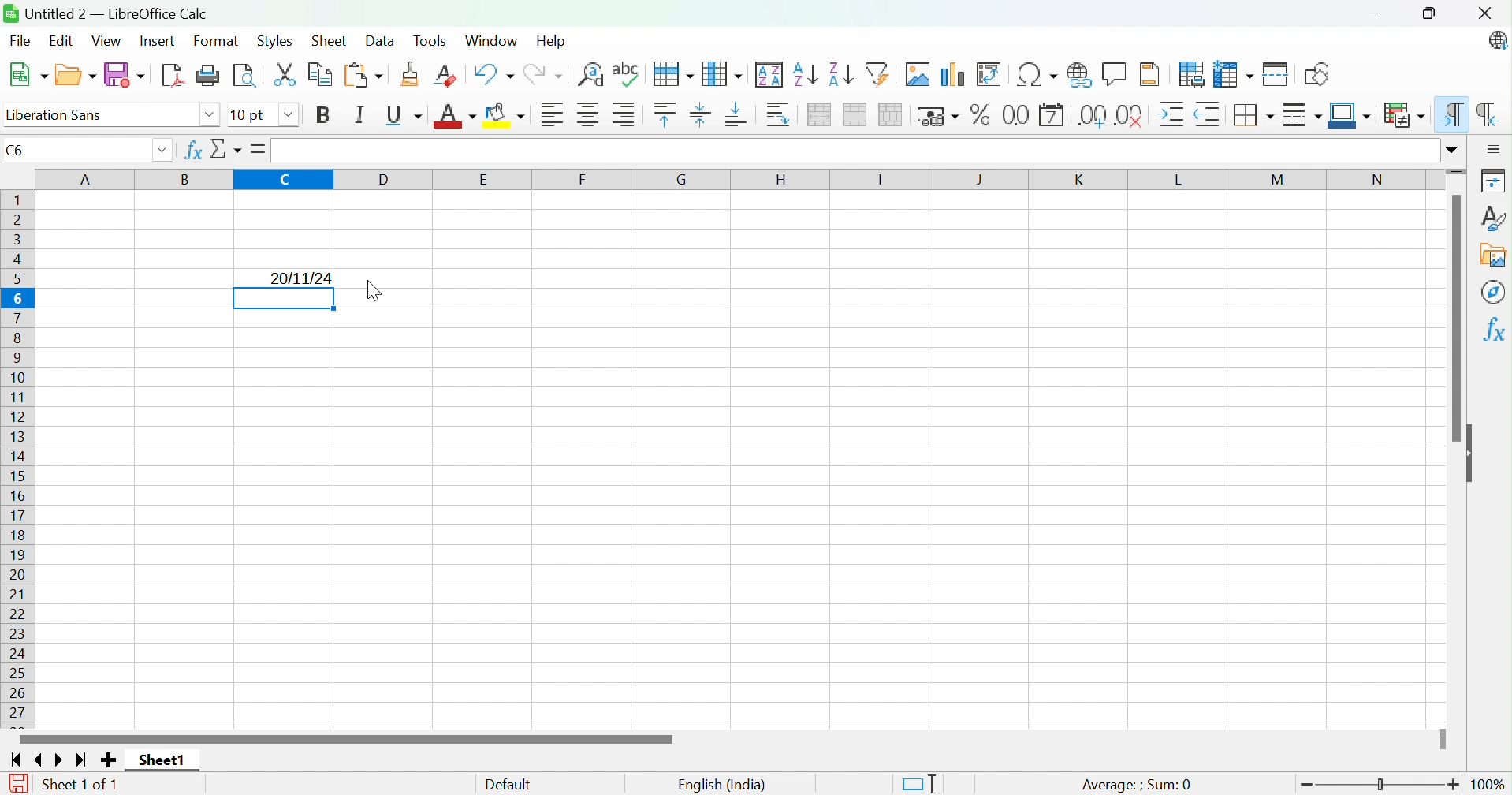  Describe the element at coordinates (857, 115) in the screenshot. I see `Merge cells` at that location.